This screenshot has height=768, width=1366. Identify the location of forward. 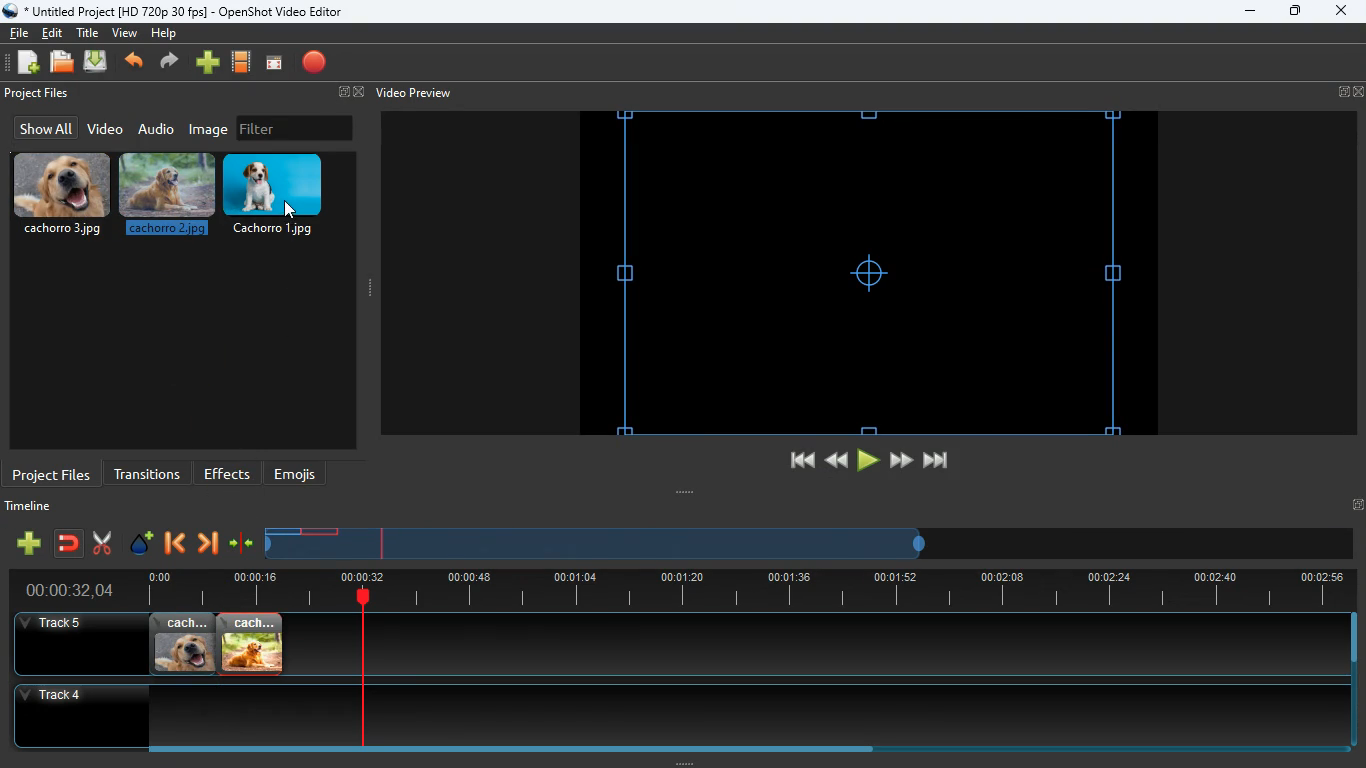
(207, 545).